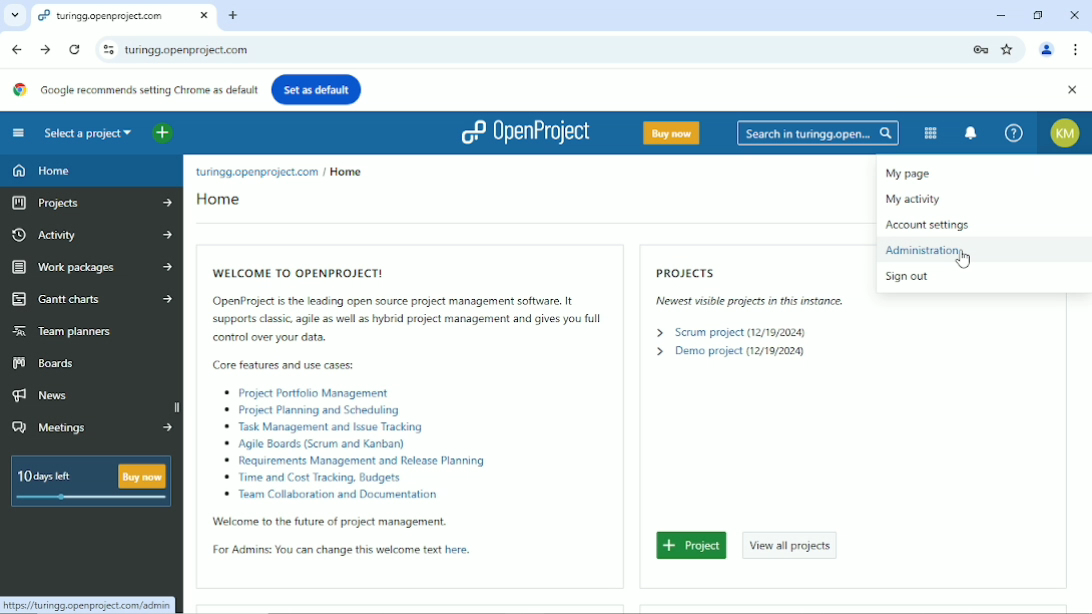  What do you see at coordinates (1001, 15) in the screenshot?
I see `Minimize` at bounding box center [1001, 15].